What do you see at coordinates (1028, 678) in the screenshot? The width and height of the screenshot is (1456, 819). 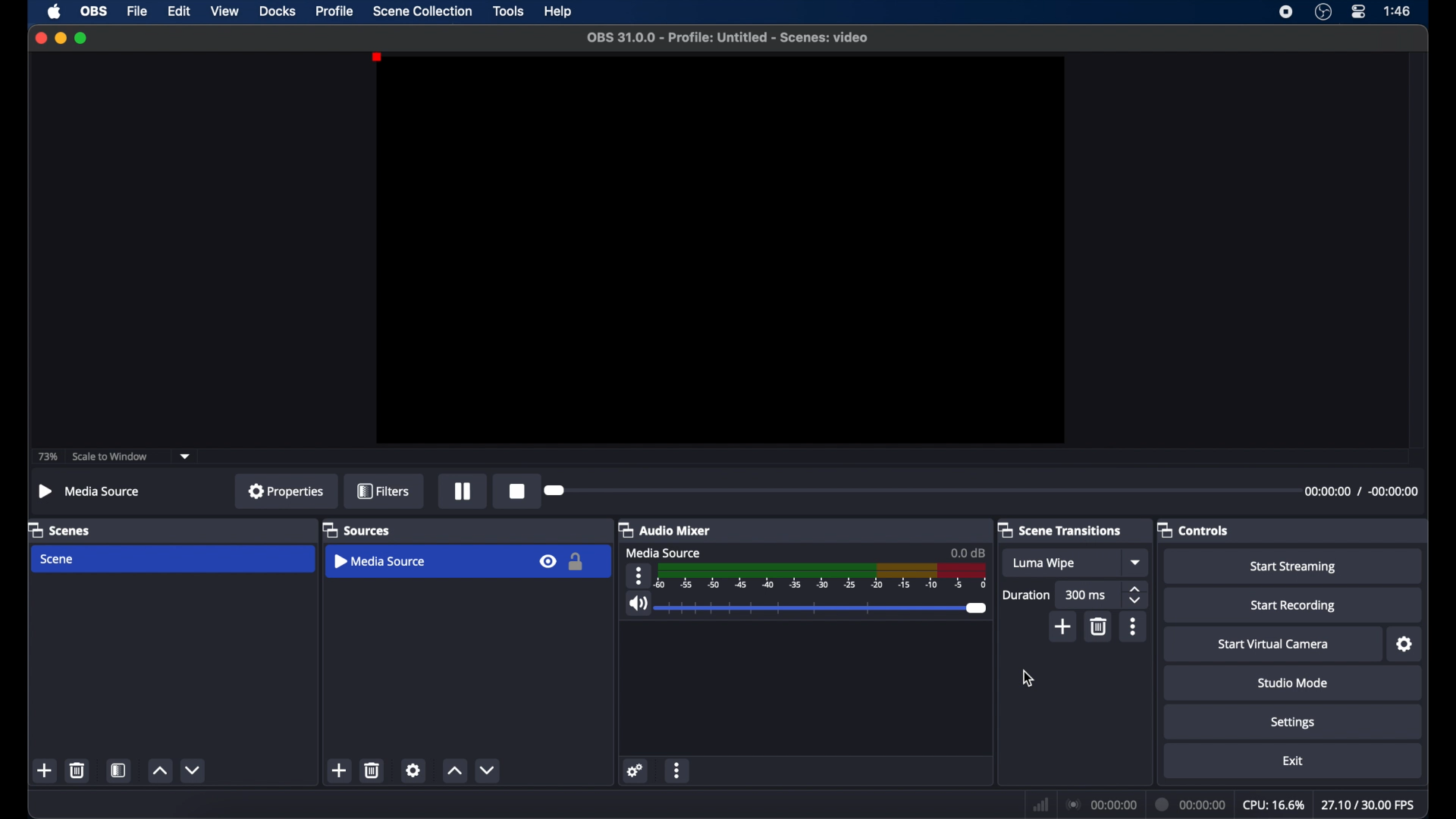 I see `cursor` at bounding box center [1028, 678].